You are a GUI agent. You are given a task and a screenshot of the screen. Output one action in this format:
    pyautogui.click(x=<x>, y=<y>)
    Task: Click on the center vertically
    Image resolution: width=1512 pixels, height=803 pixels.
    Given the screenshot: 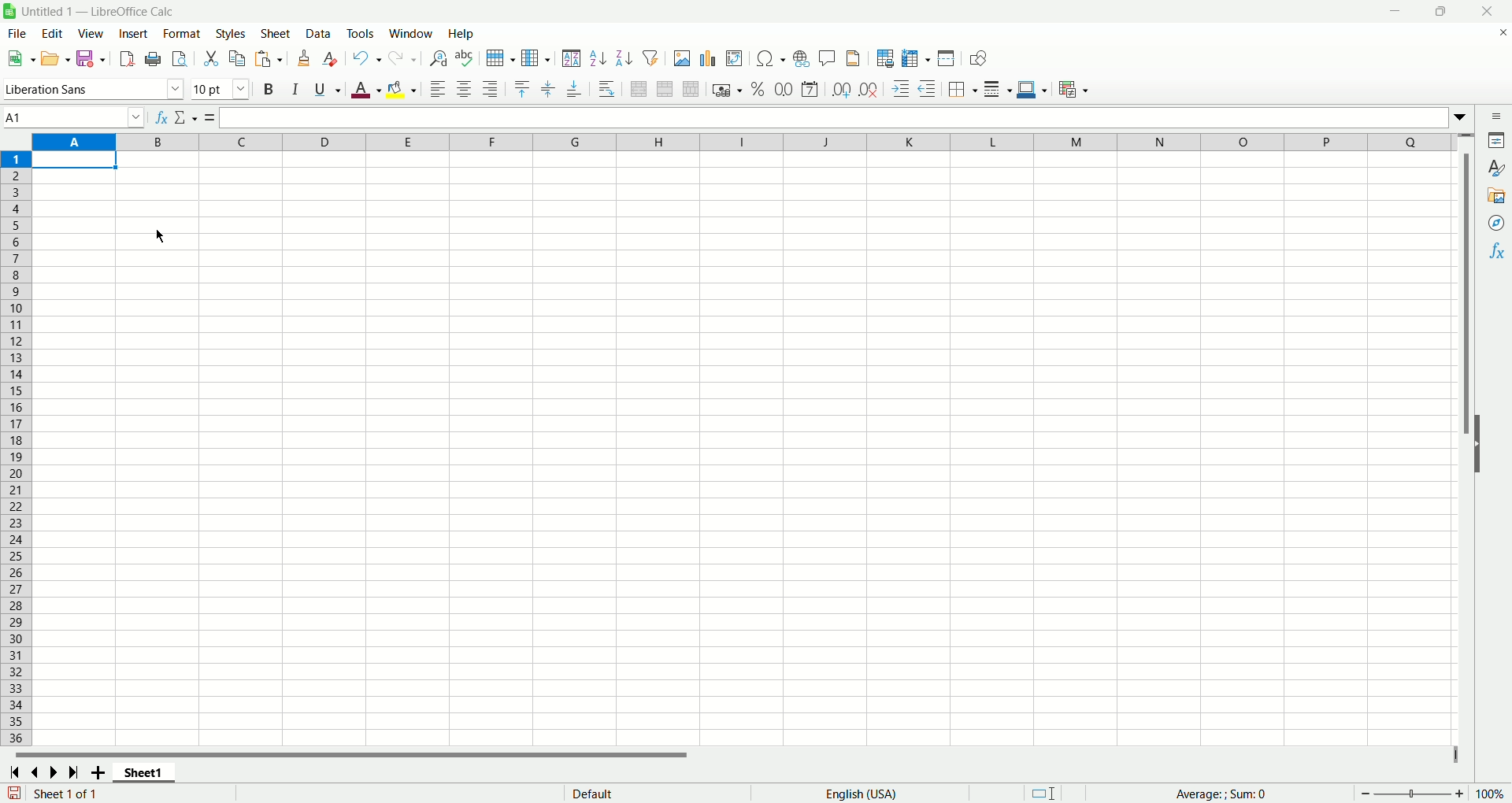 What is the action you would take?
    pyautogui.click(x=550, y=87)
    